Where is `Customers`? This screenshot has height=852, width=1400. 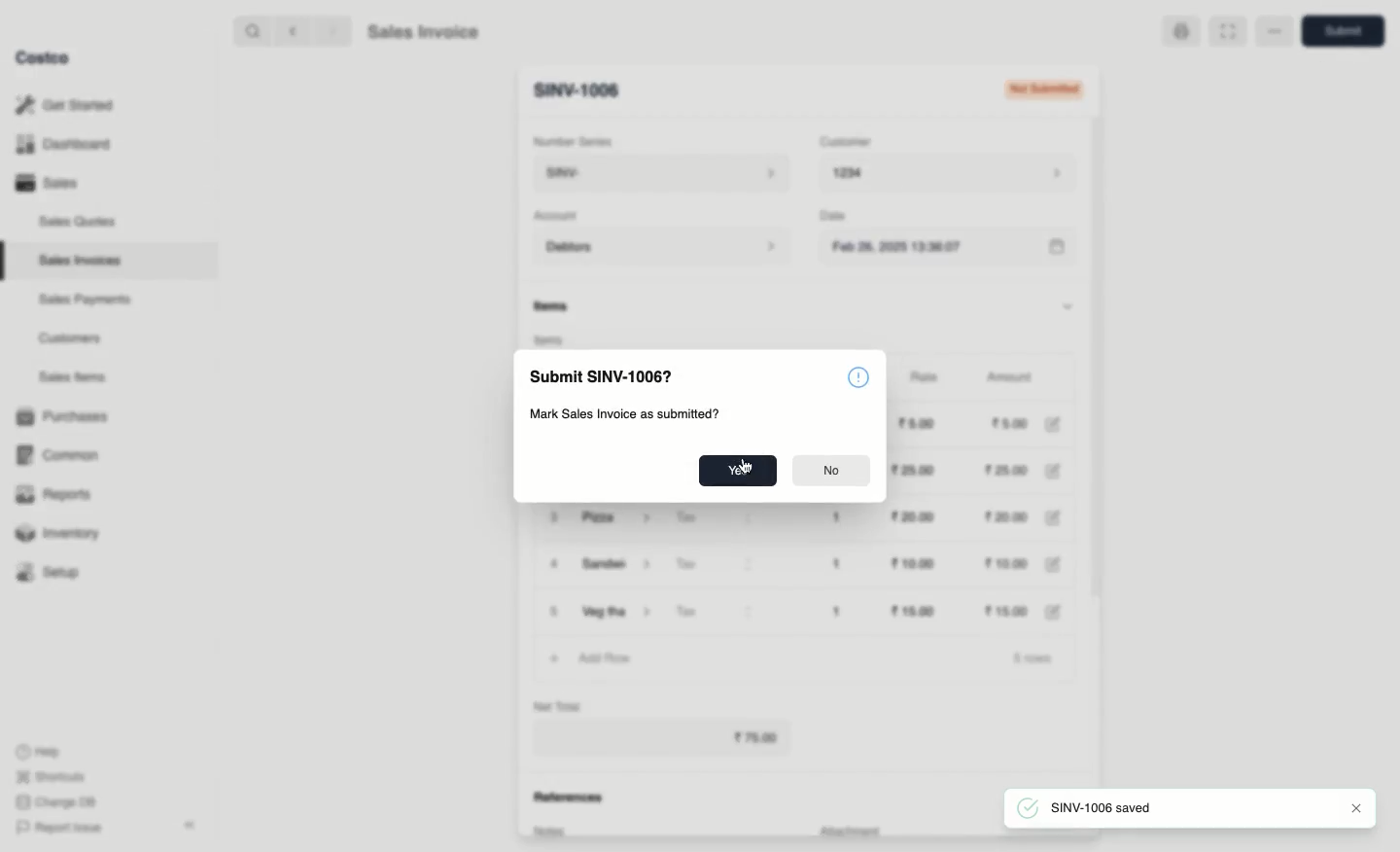 Customers is located at coordinates (70, 337).